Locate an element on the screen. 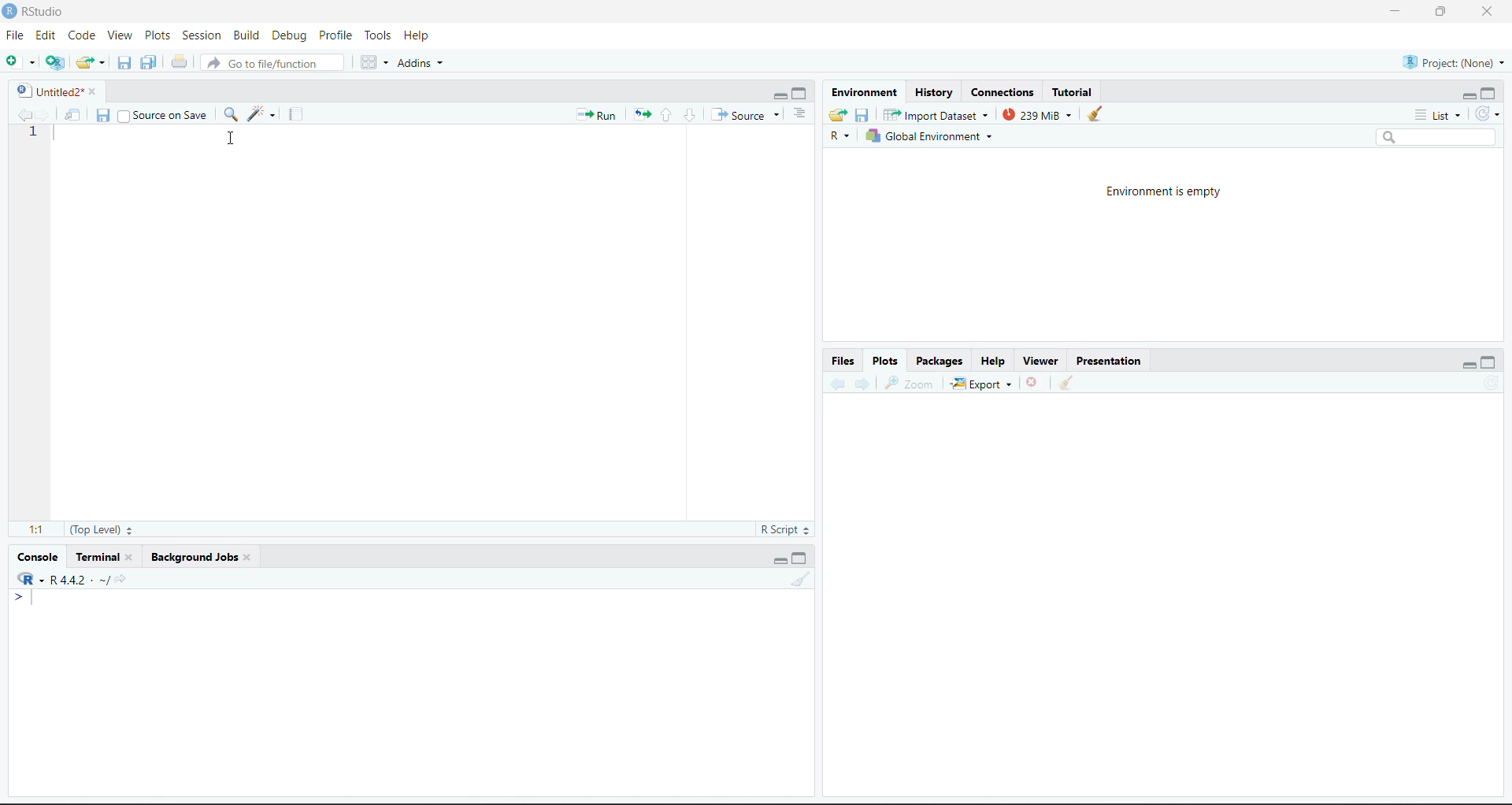  Addins is located at coordinates (423, 62).